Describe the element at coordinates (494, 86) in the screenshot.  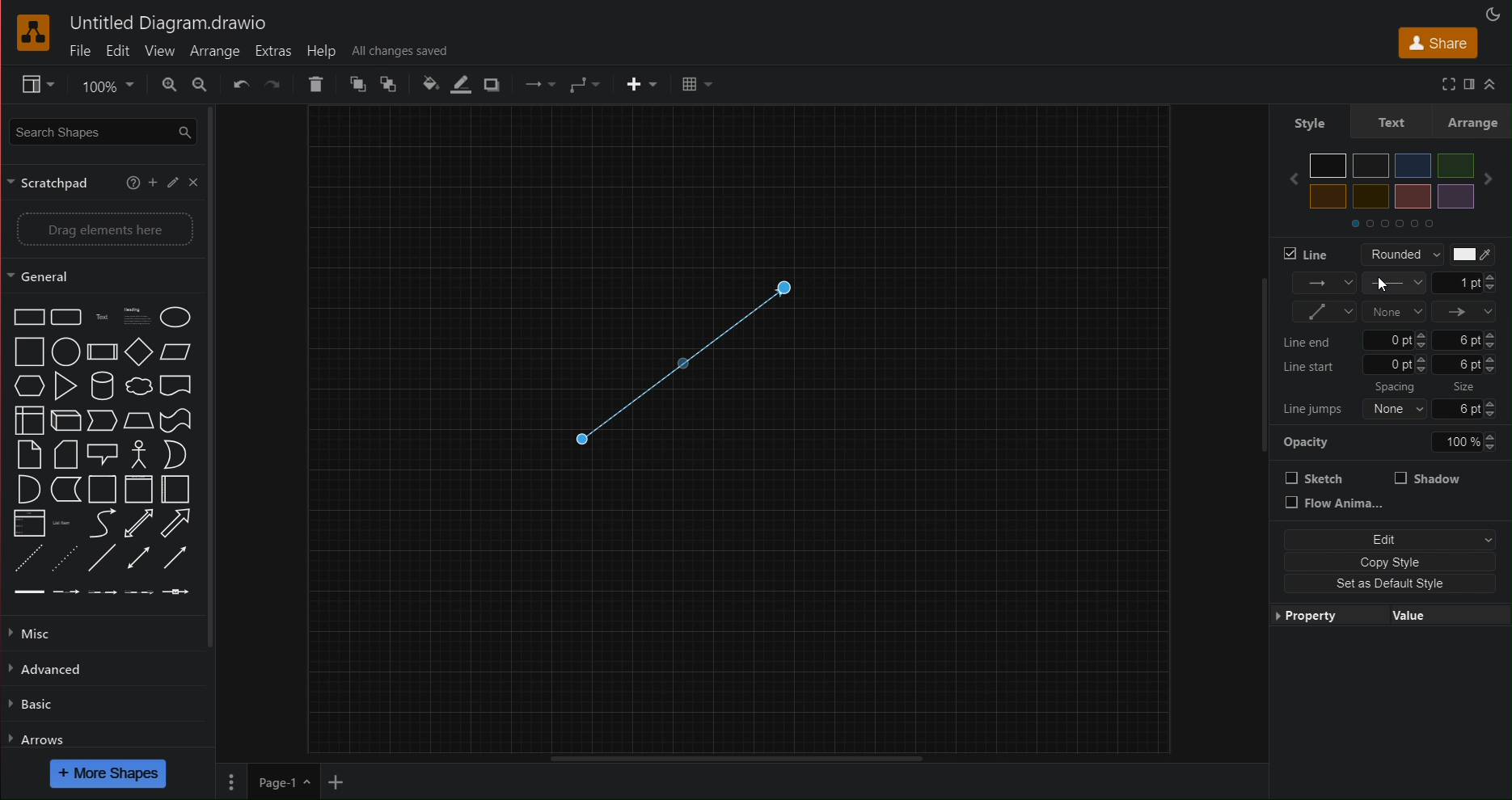
I see `Shadow` at that location.